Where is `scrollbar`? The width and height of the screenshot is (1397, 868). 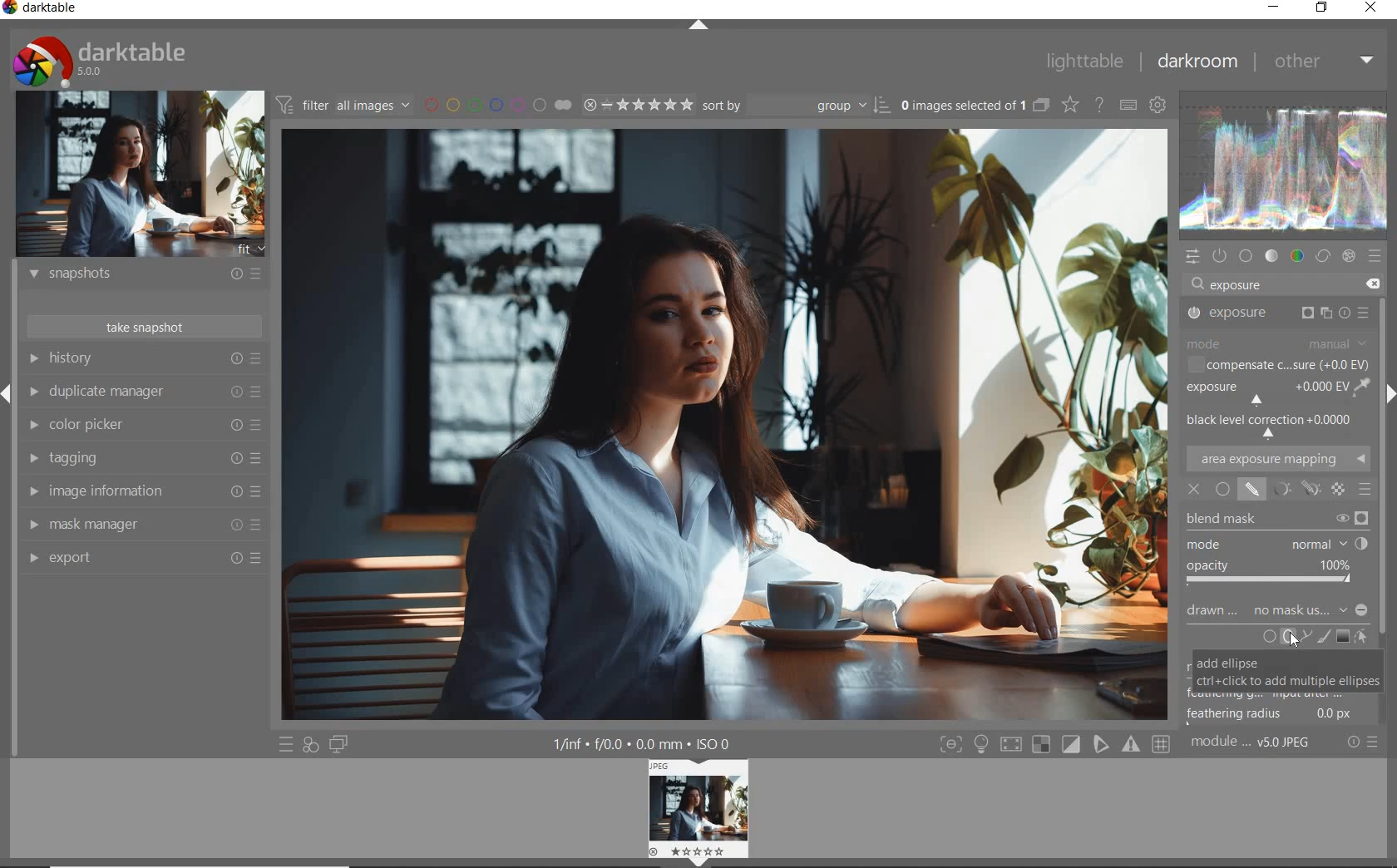
scrollbar is located at coordinates (1387, 512).